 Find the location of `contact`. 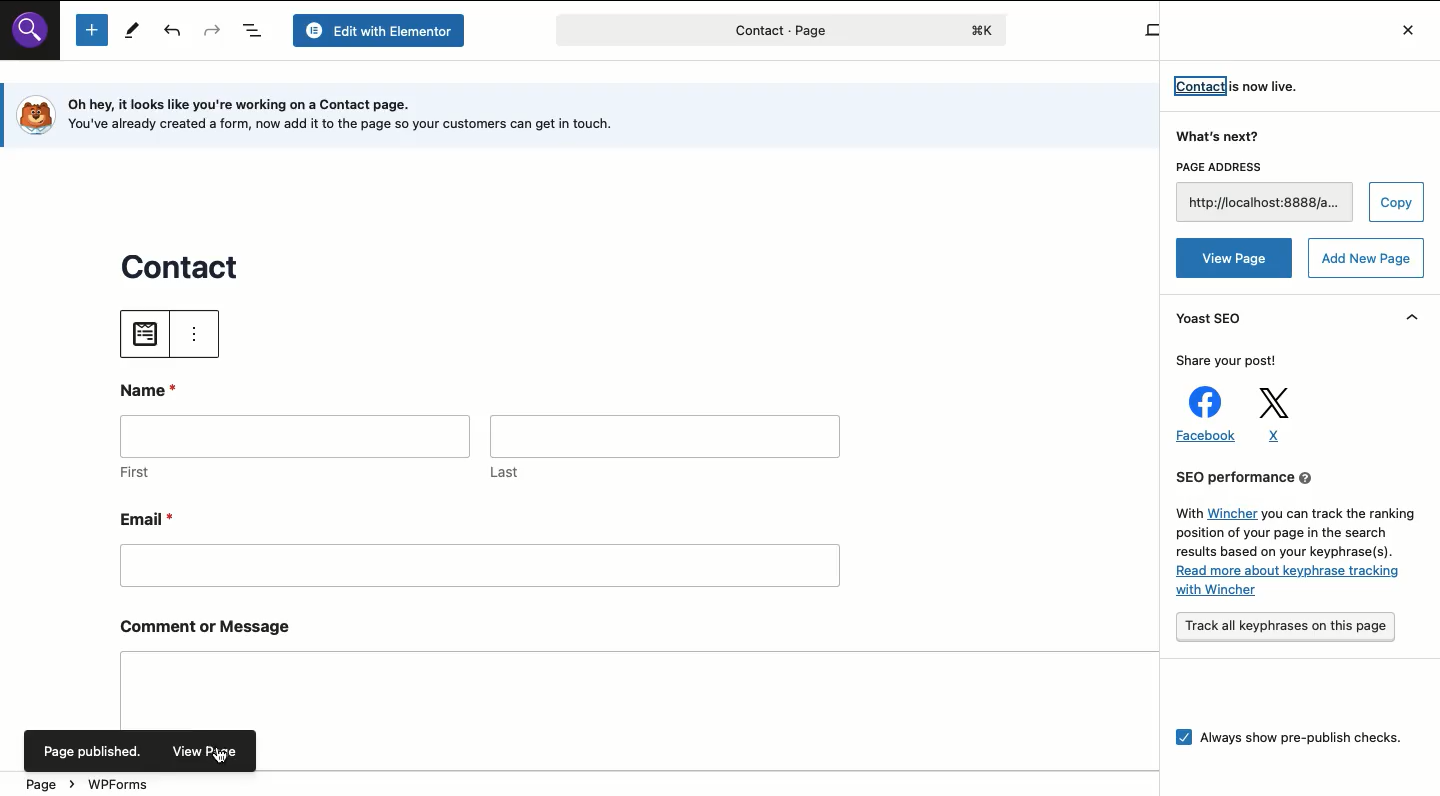

contact is located at coordinates (183, 263).